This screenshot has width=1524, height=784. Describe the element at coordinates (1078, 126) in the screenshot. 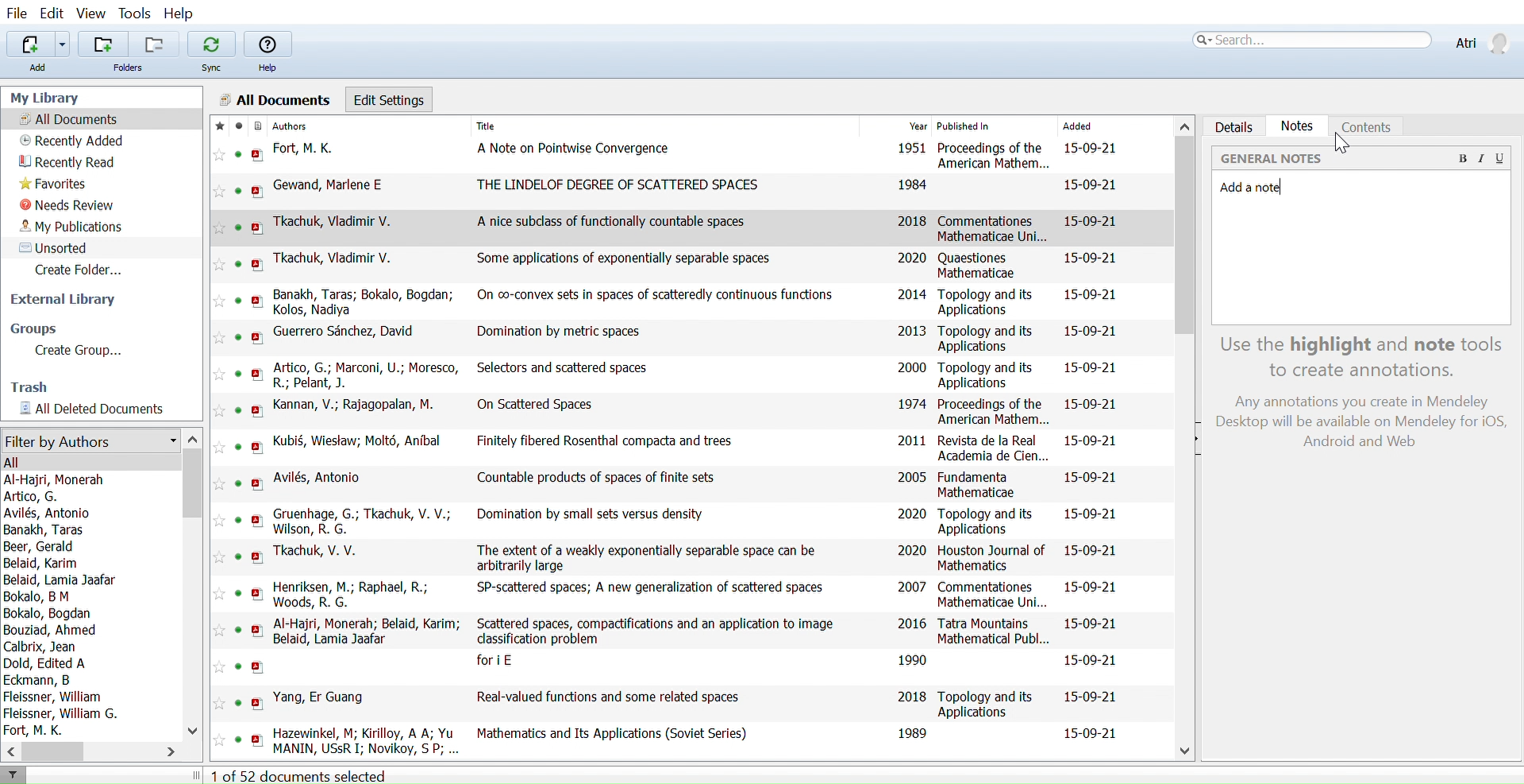

I see `Added` at that location.